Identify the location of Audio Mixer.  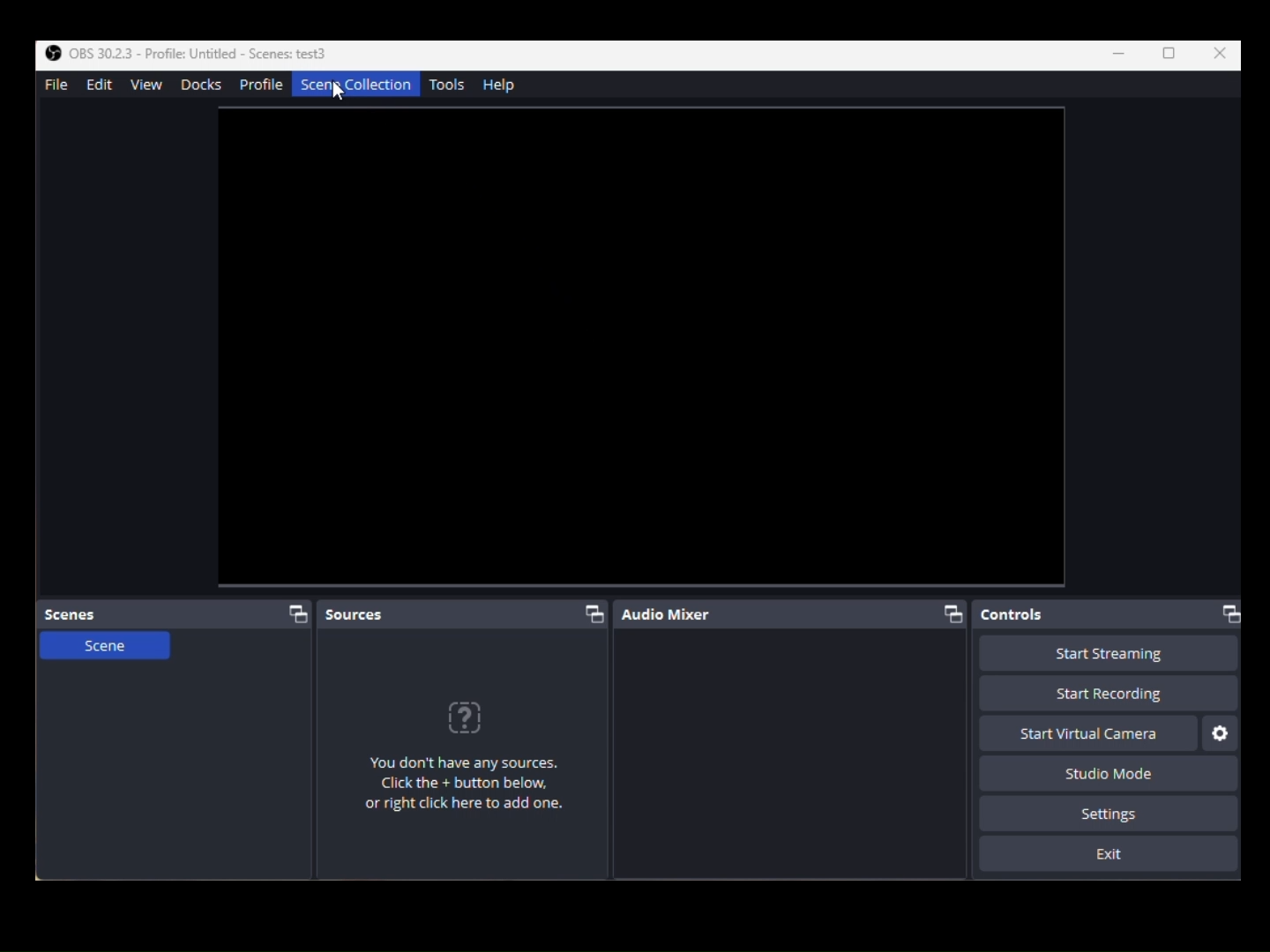
(796, 615).